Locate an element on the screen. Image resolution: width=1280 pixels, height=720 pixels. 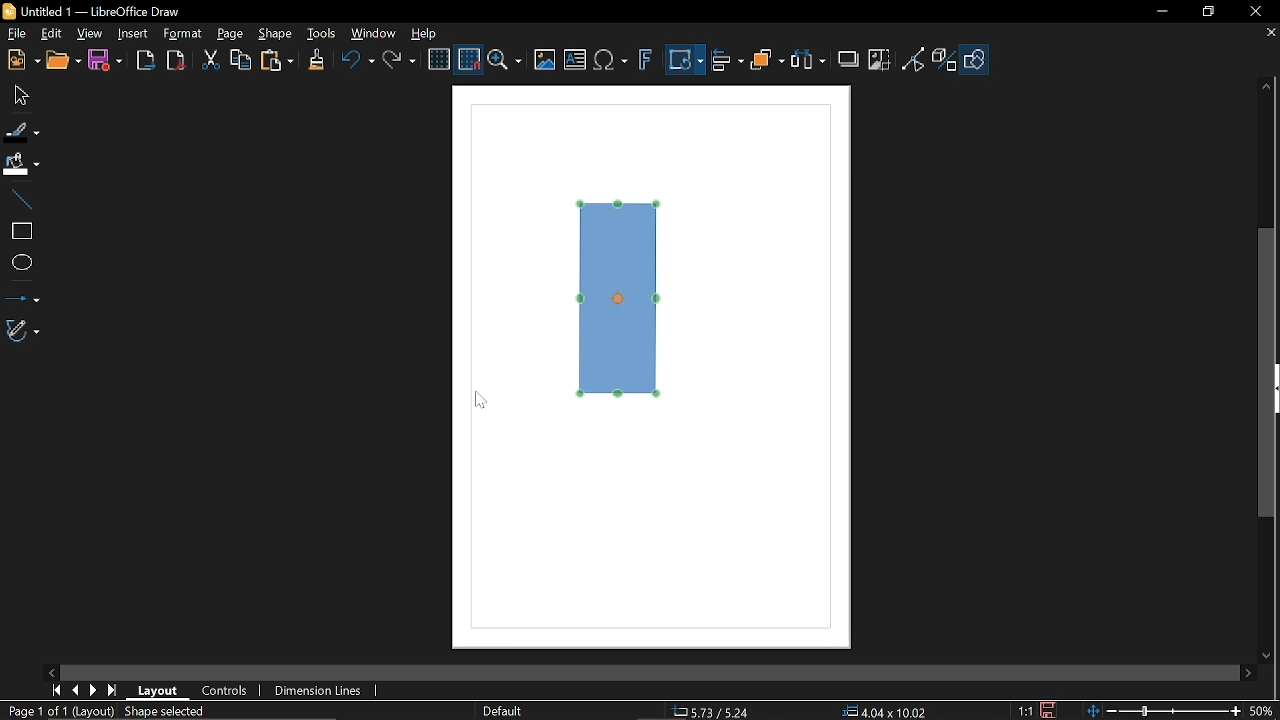
Toggle extrusion is located at coordinates (946, 61).